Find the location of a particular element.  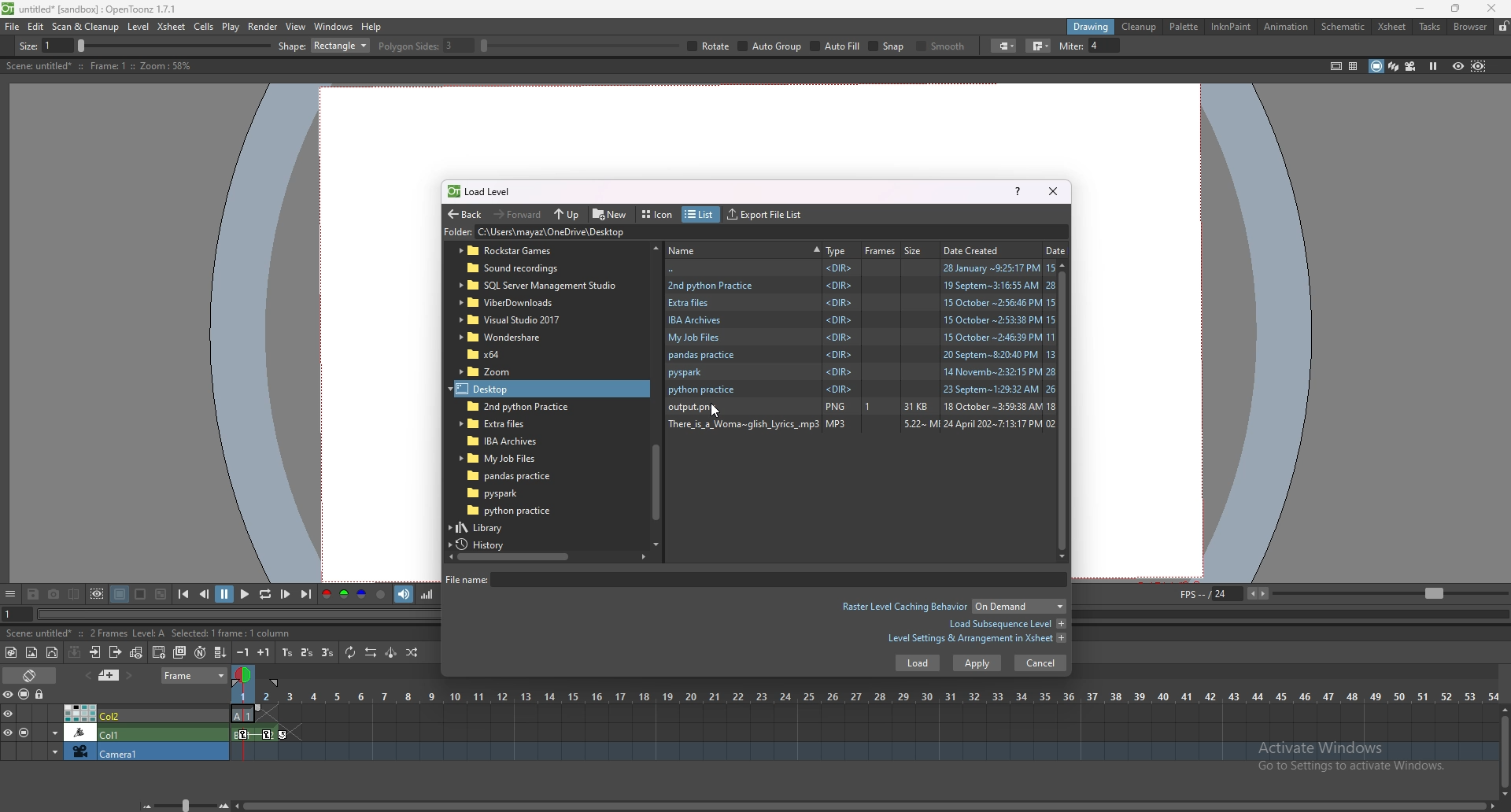

sub camera preview is located at coordinates (1479, 65).